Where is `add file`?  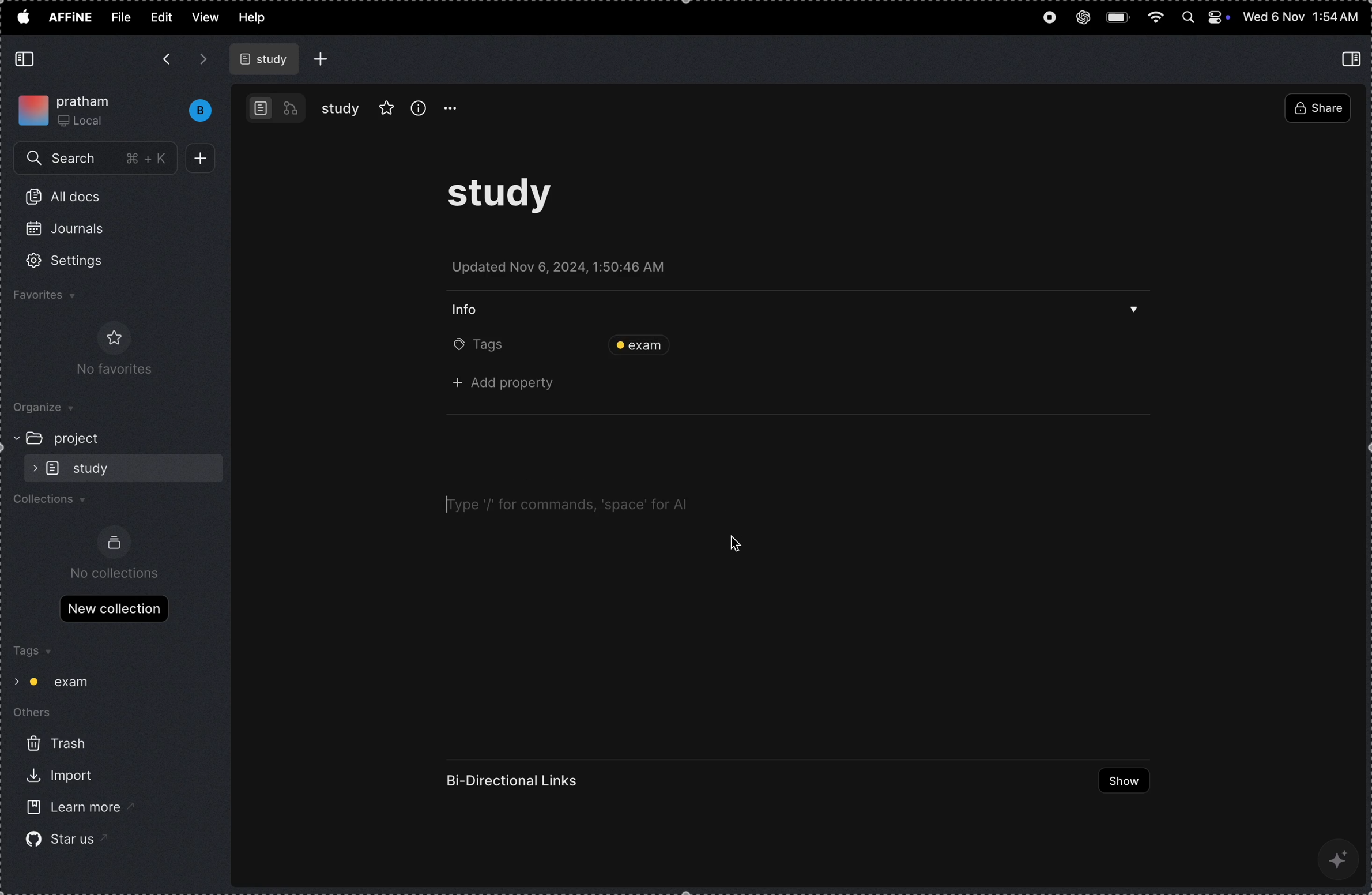
add file is located at coordinates (322, 59).